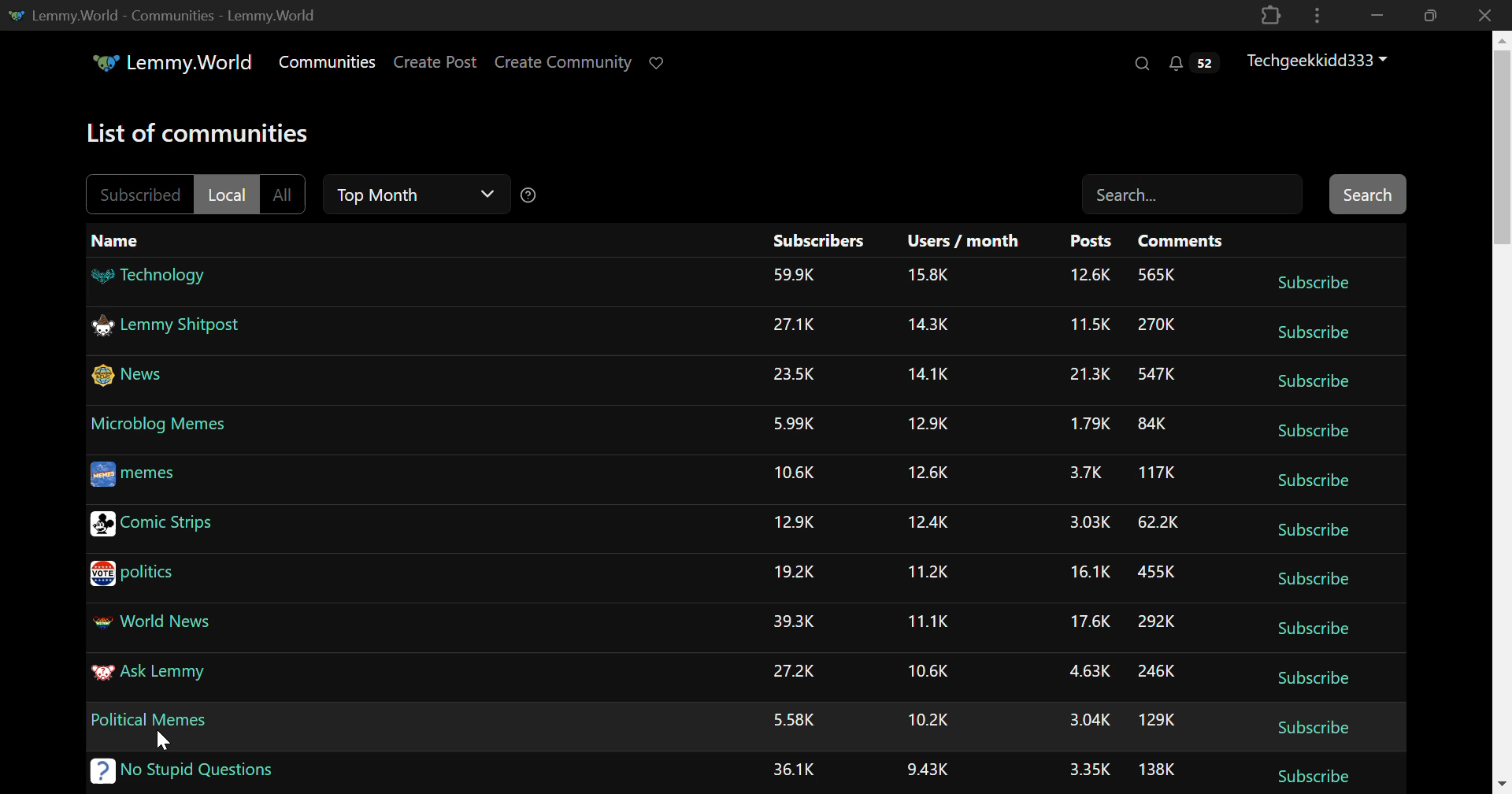 The image size is (1512, 794). I want to click on Minimize Window, so click(1428, 16).